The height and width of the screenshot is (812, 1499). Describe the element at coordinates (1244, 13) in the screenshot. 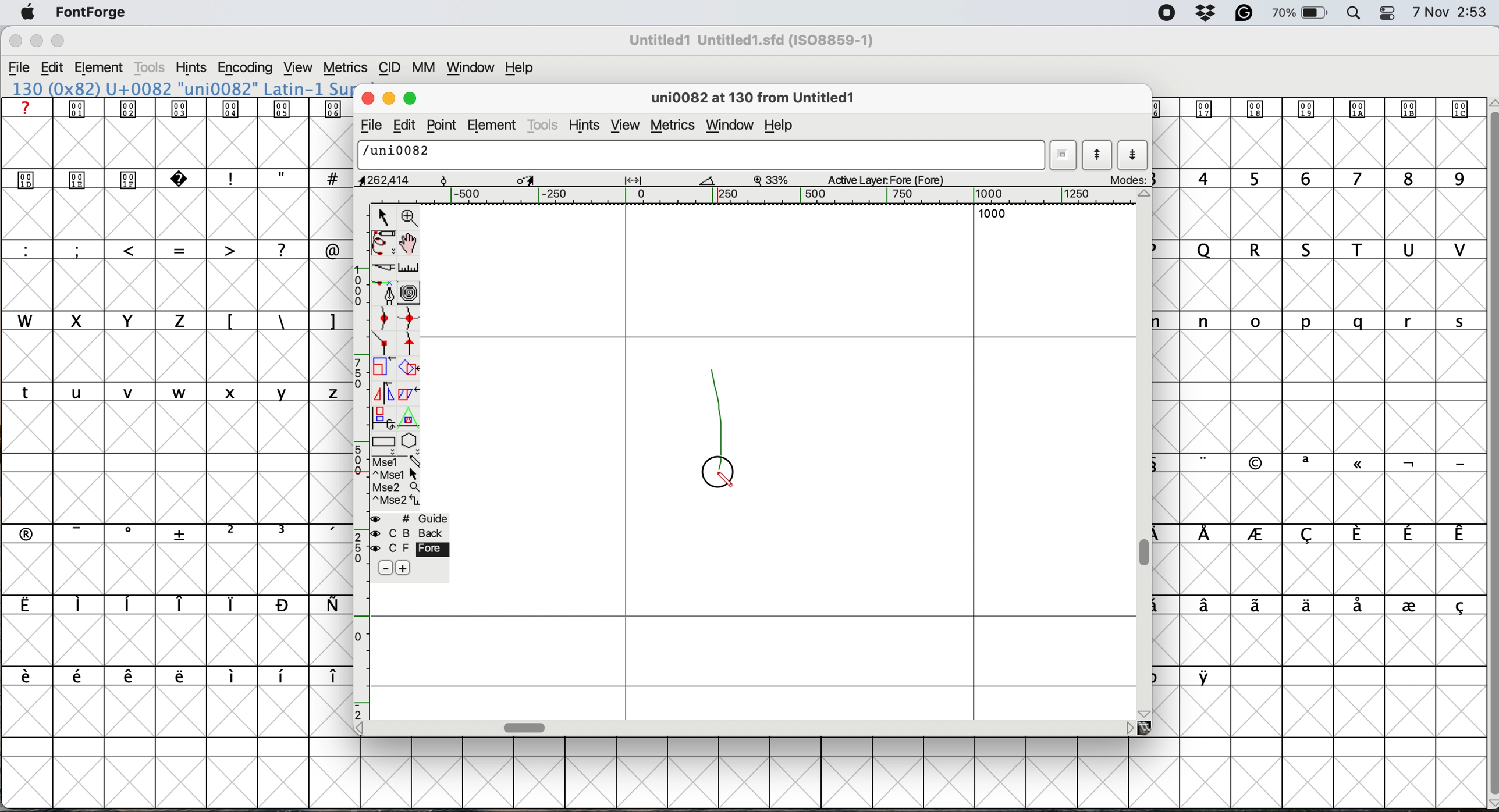

I see `grammarly` at that location.